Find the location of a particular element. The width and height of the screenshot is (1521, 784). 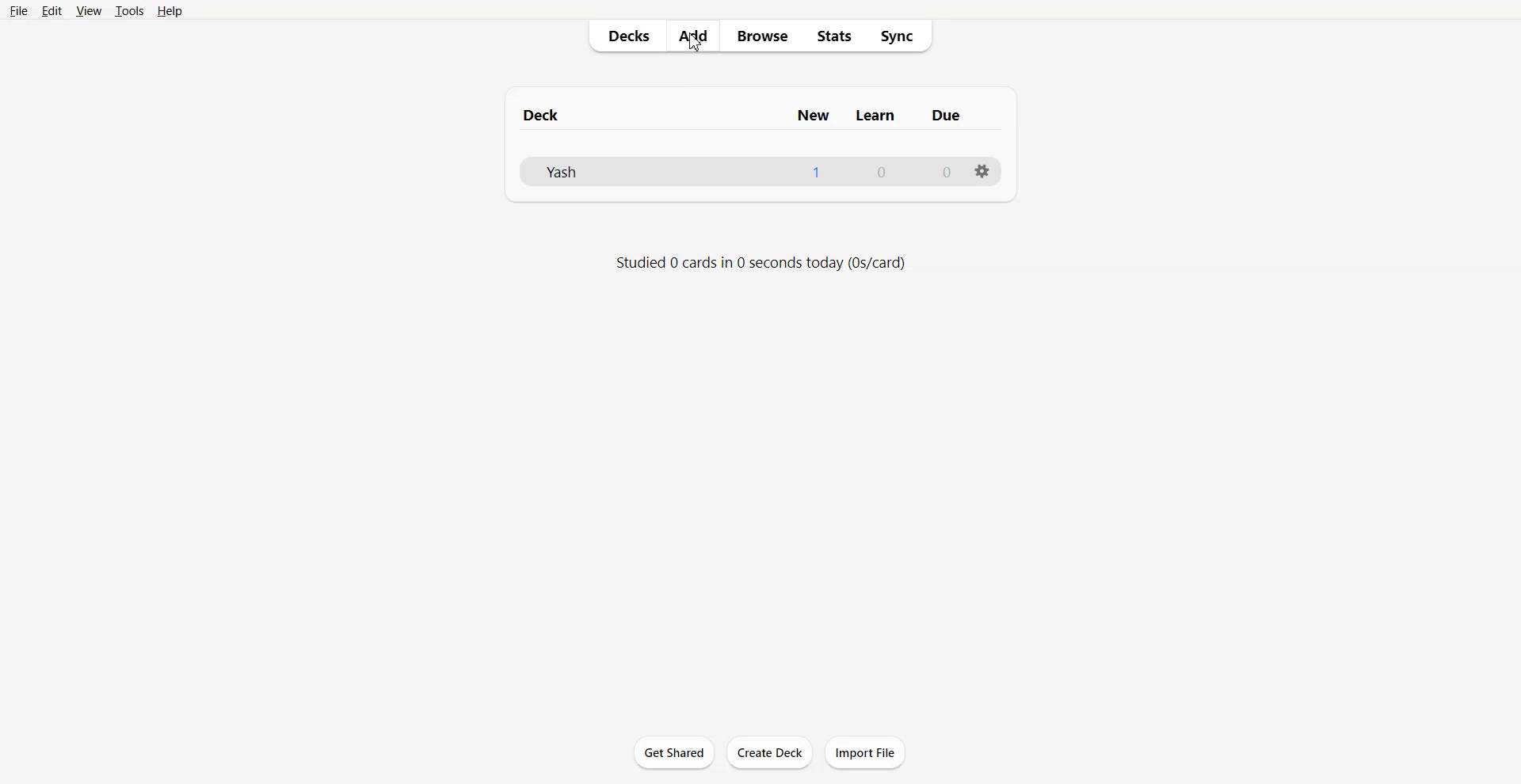

Get Shared is located at coordinates (674, 752).